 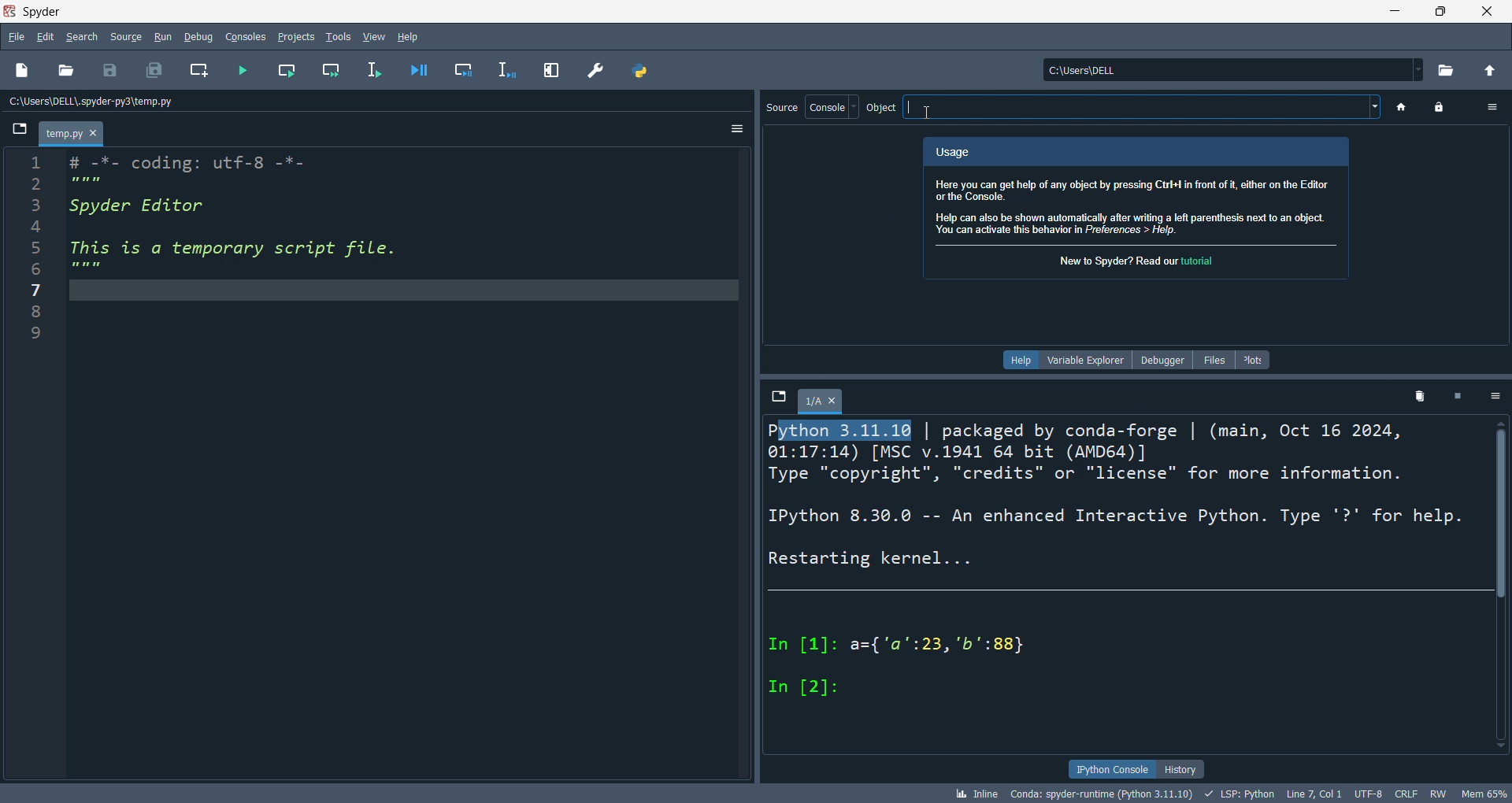 What do you see at coordinates (1158, 361) in the screenshot?
I see `debugger` at bounding box center [1158, 361].